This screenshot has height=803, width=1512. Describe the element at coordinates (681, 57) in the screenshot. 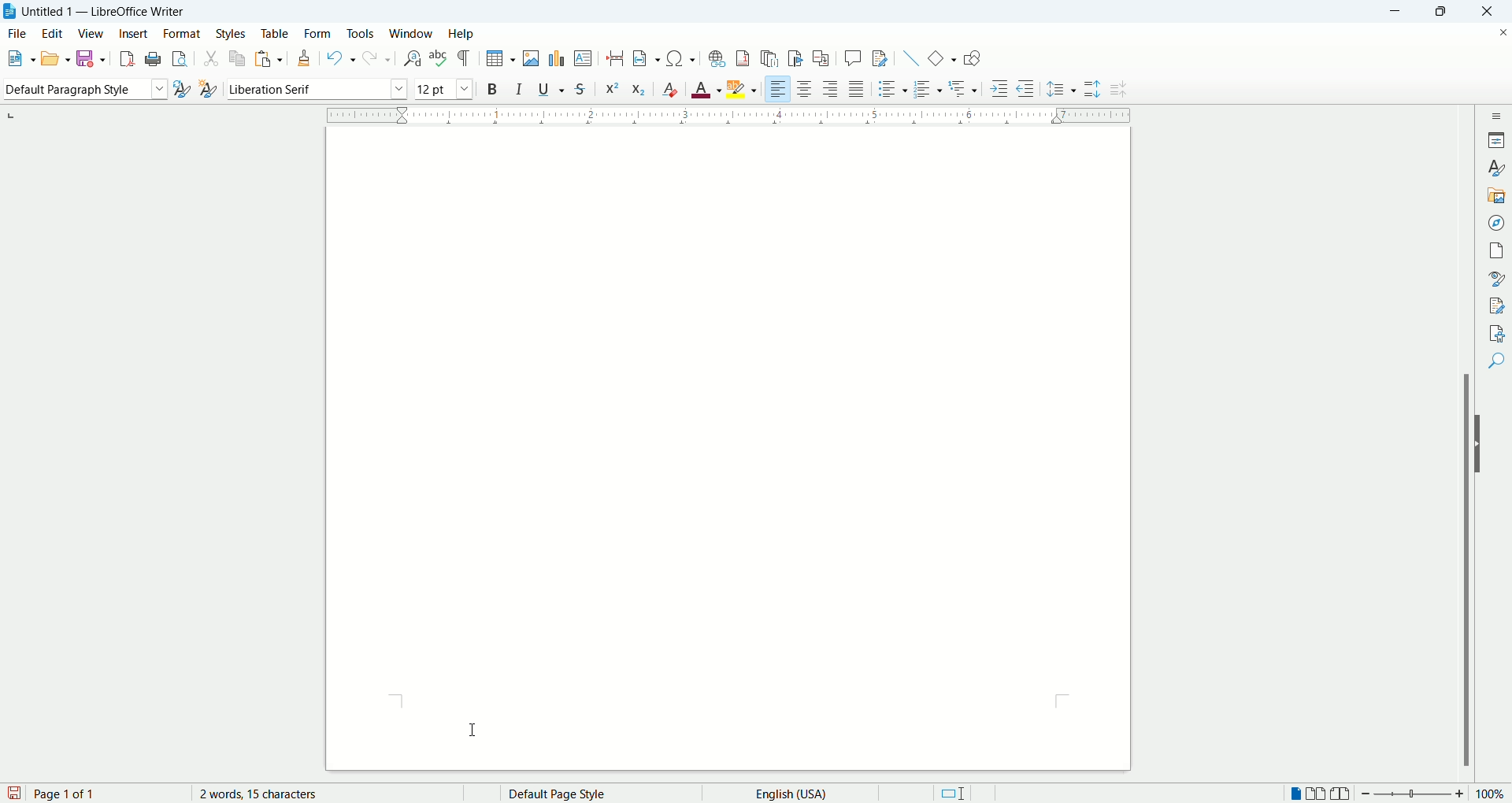

I see `insert symbol` at that location.